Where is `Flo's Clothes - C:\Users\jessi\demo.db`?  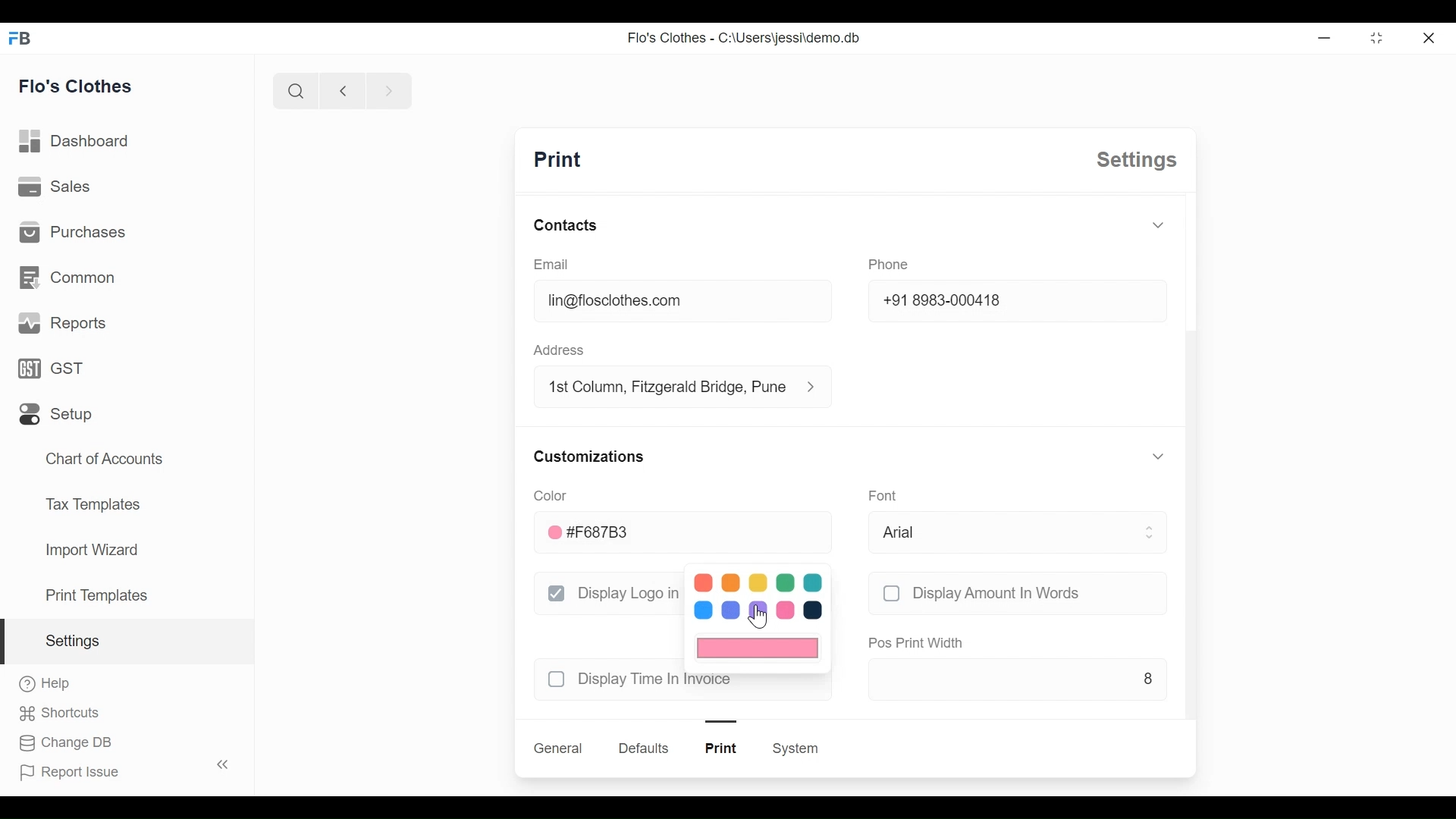 Flo's Clothes - C:\Users\jessi\demo.db is located at coordinates (745, 37).